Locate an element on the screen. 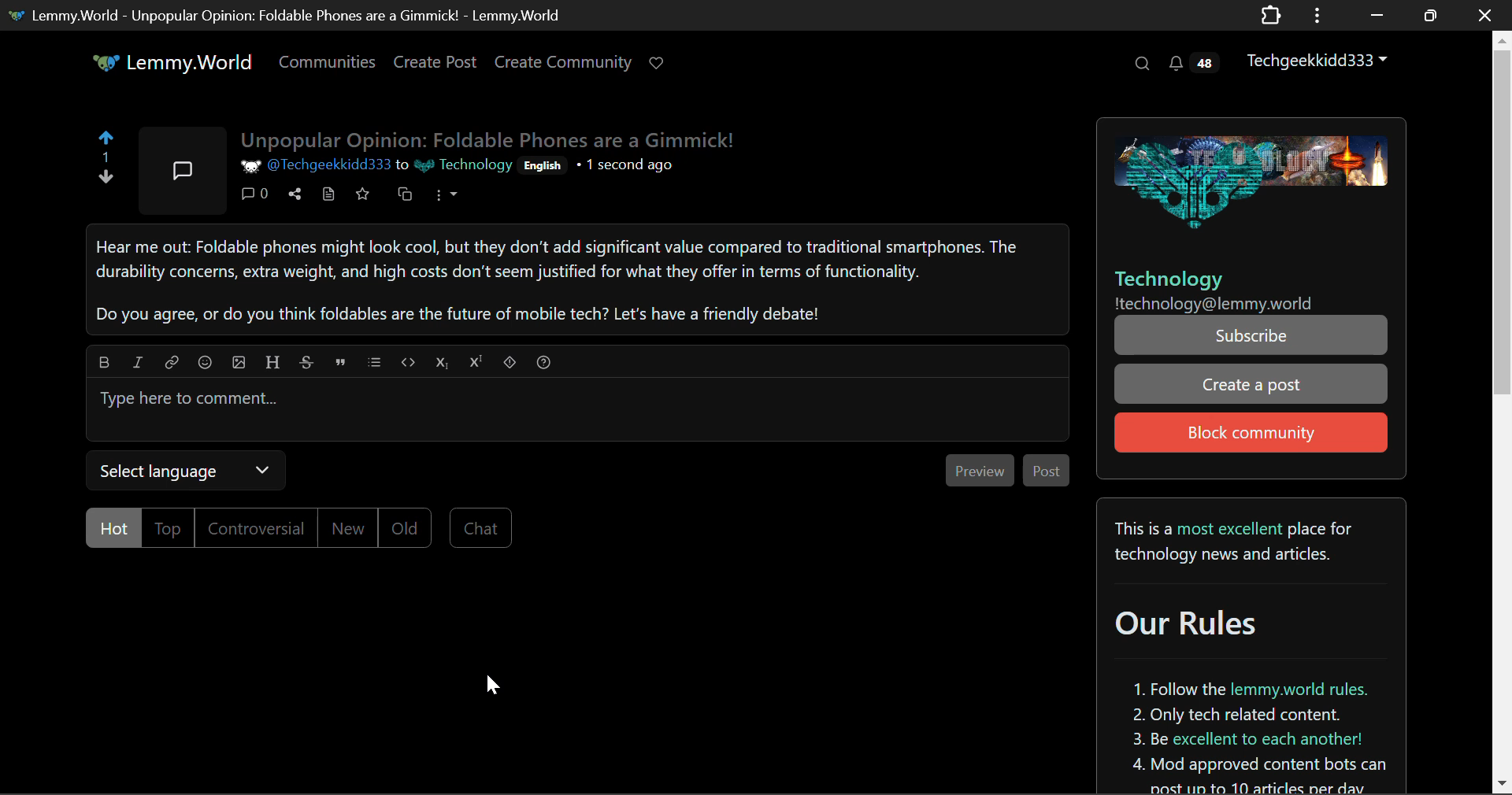  Select Language is located at coordinates (191, 470).